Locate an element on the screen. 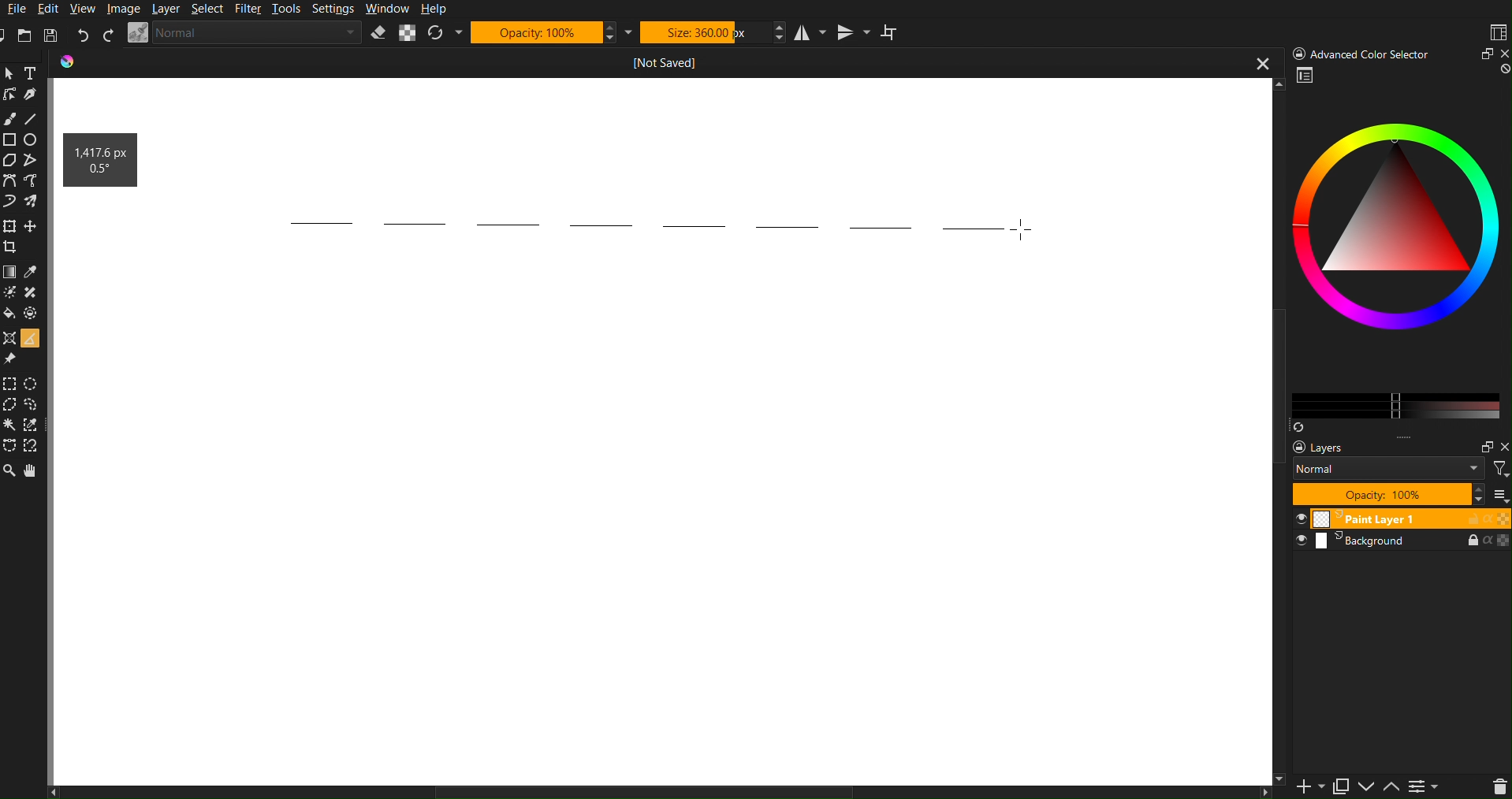 The width and height of the screenshot is (1512, 799). Circle is located at coordinates (33, 139).